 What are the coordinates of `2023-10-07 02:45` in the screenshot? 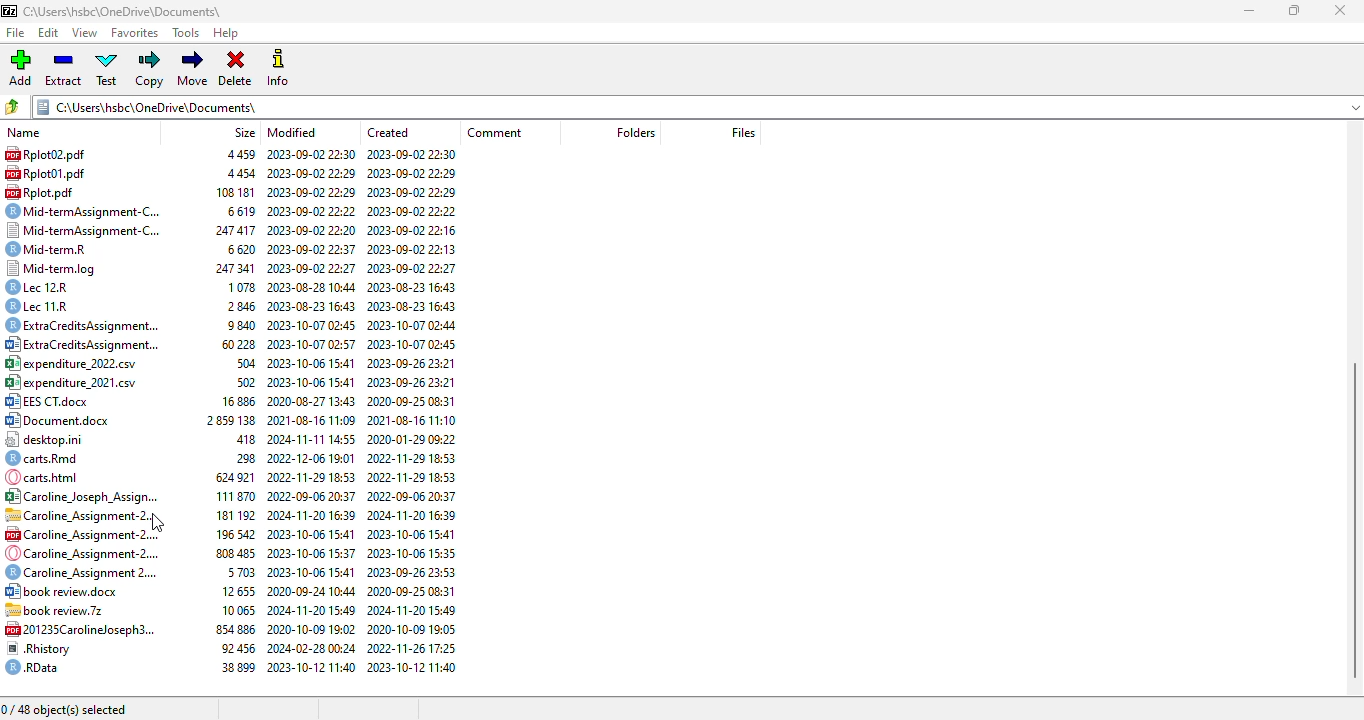 It's located at (416, 344).